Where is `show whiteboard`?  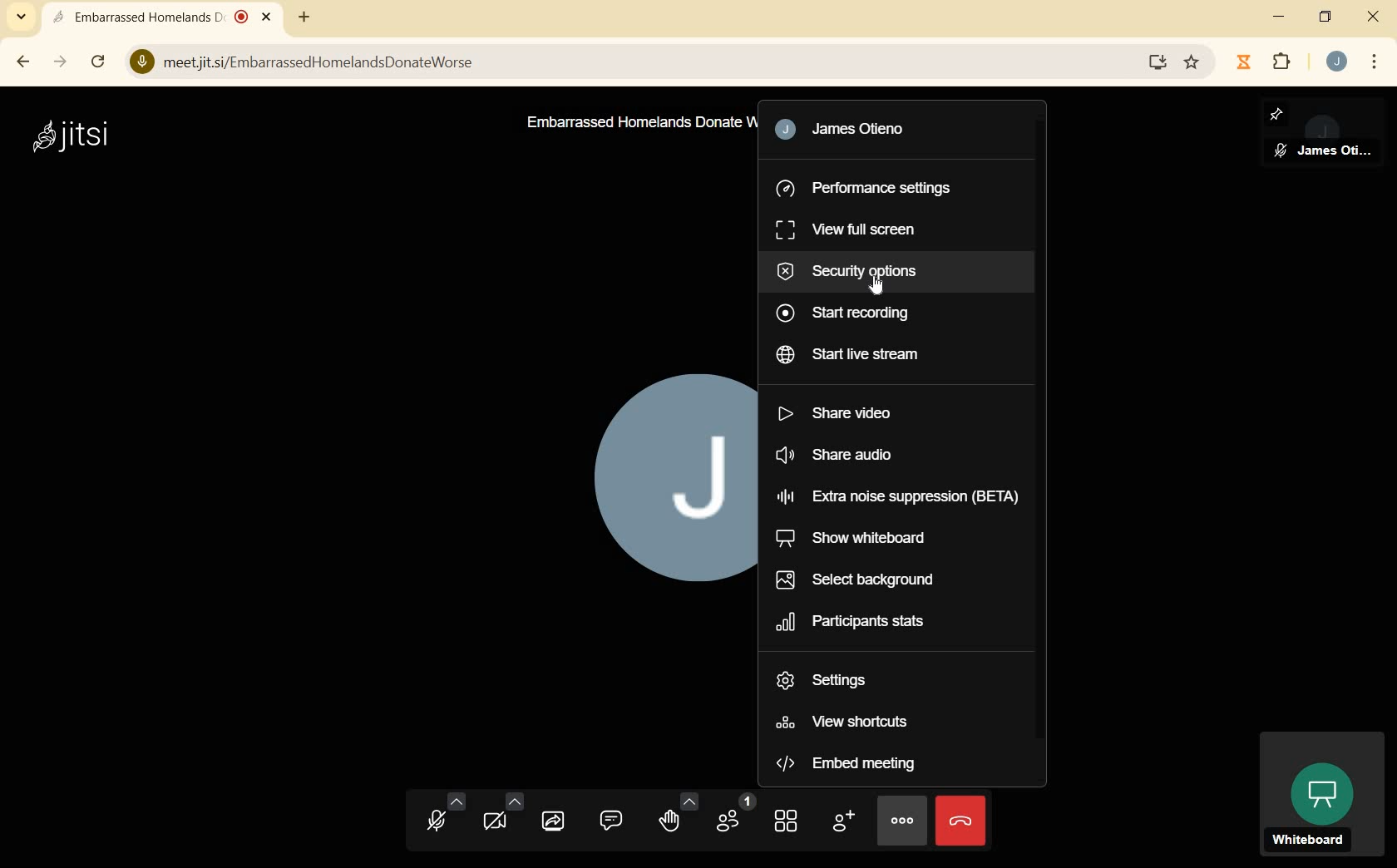 show whiteboard is located at coordinates (879, 538).